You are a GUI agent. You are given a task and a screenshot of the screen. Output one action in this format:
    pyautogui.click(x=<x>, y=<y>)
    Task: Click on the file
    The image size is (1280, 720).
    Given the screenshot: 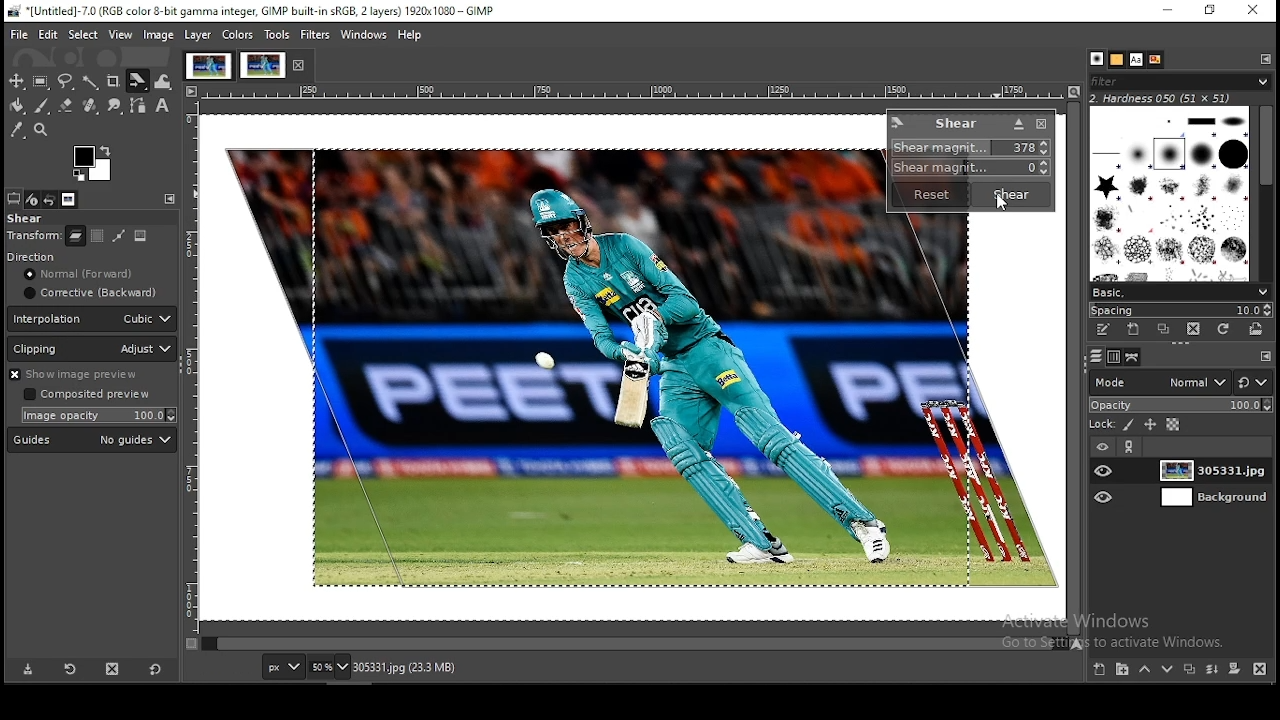 What is the action you would take?
    pyautogui.click(x=21, y=34)
    